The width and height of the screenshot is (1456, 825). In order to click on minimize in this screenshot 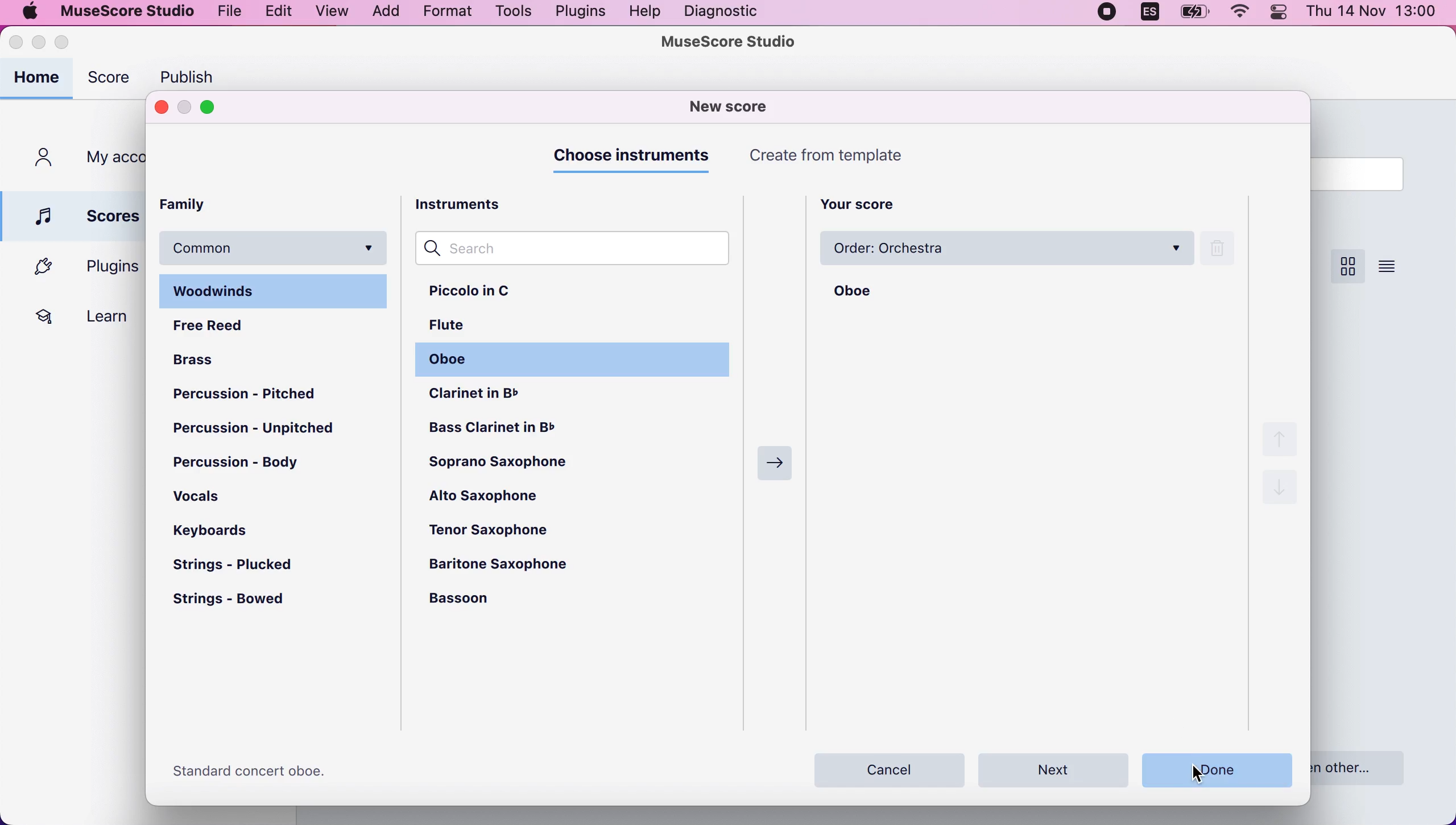, I will do `click(40, 44)`.